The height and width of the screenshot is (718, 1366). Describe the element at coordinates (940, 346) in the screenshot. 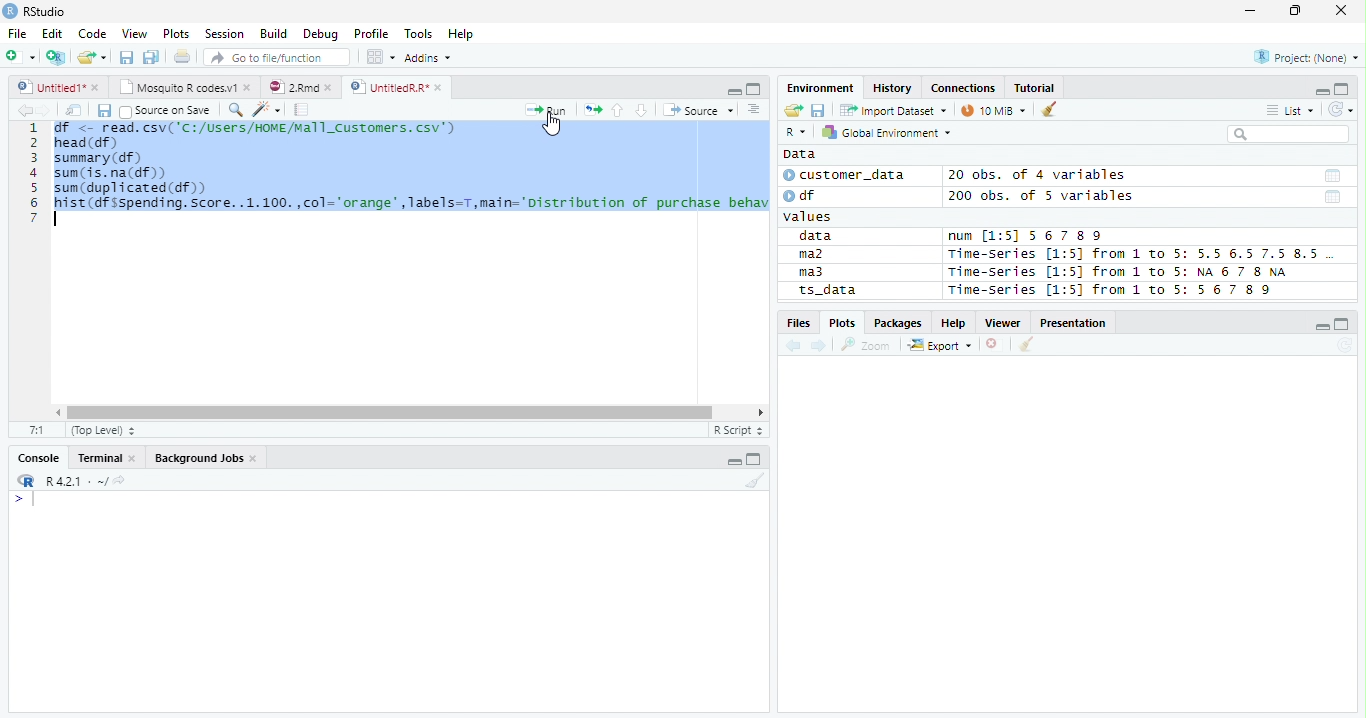

I see `Export` at that location.